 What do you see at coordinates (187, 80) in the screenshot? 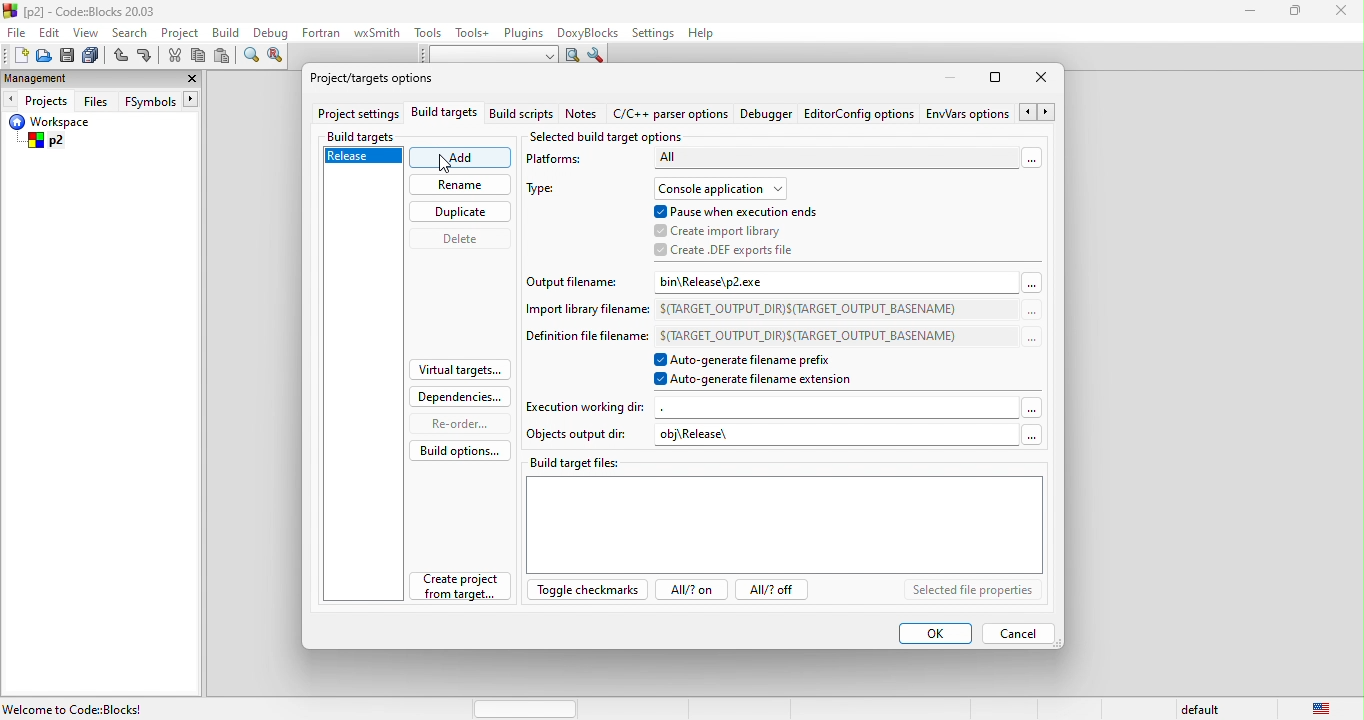
I see `close` at bounding box center [187, 80].